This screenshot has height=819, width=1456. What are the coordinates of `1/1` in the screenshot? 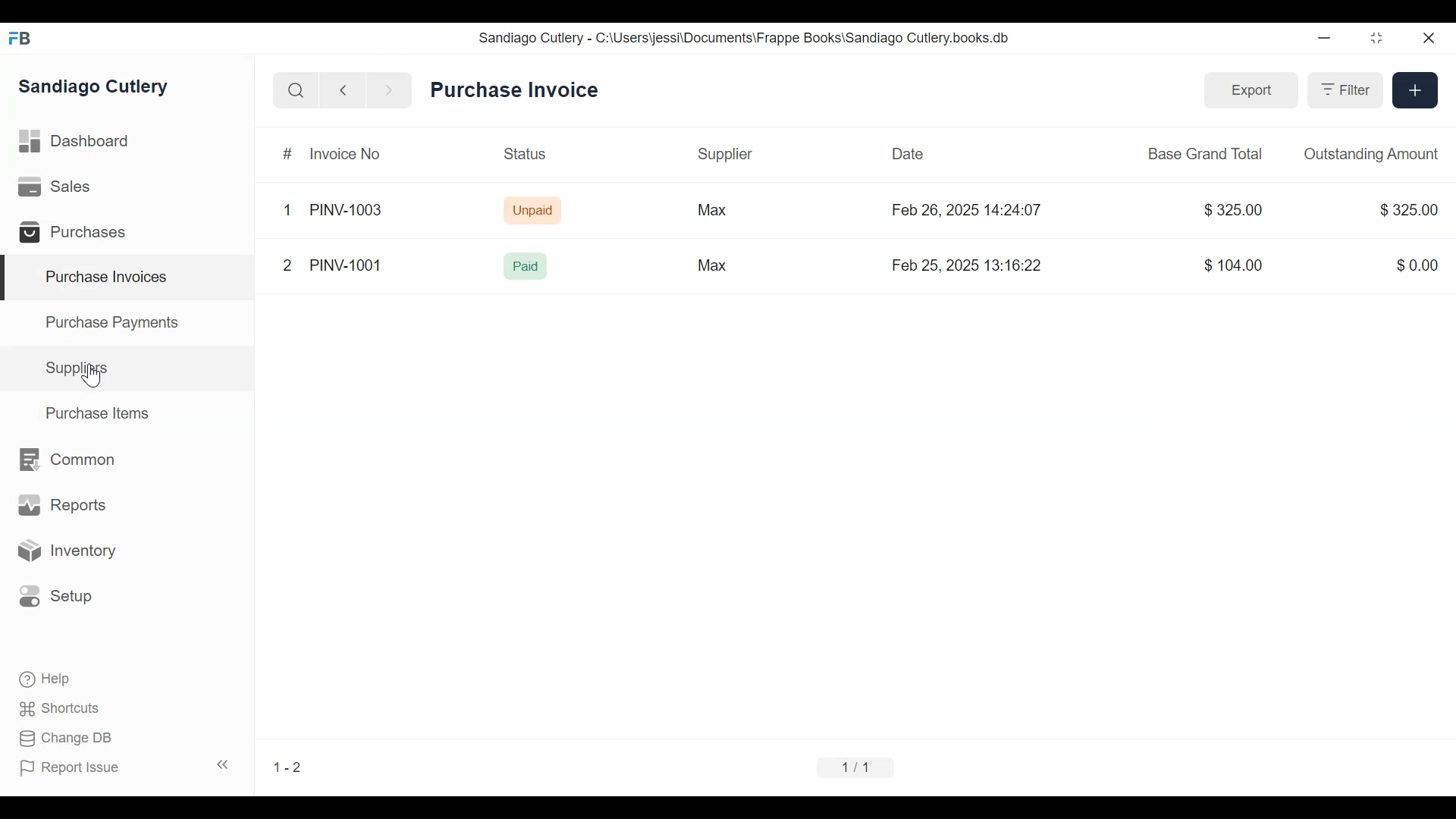 It's located at (852, 766).